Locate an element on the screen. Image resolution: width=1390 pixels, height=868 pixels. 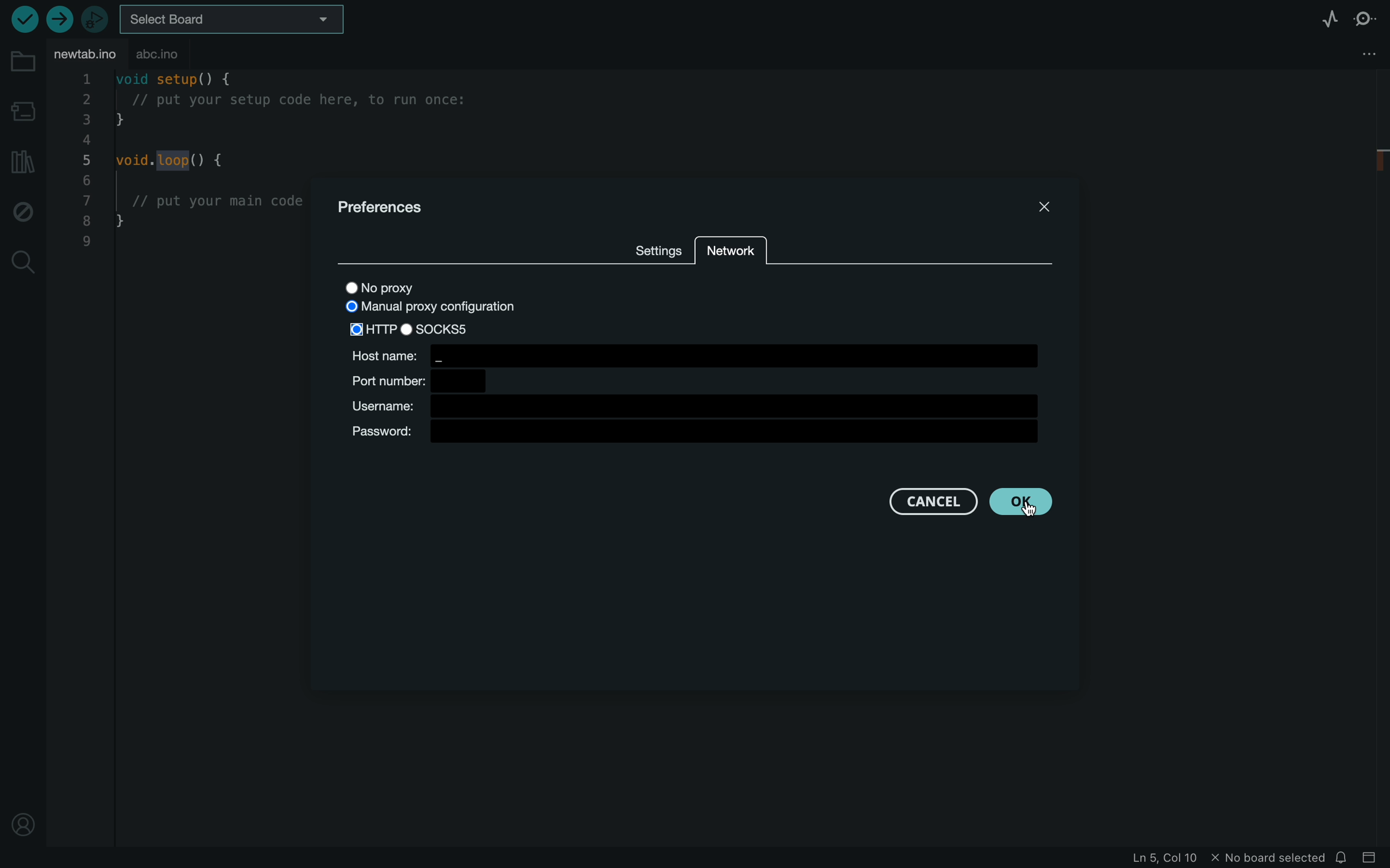
library manager is located at coordinates (20, 161).